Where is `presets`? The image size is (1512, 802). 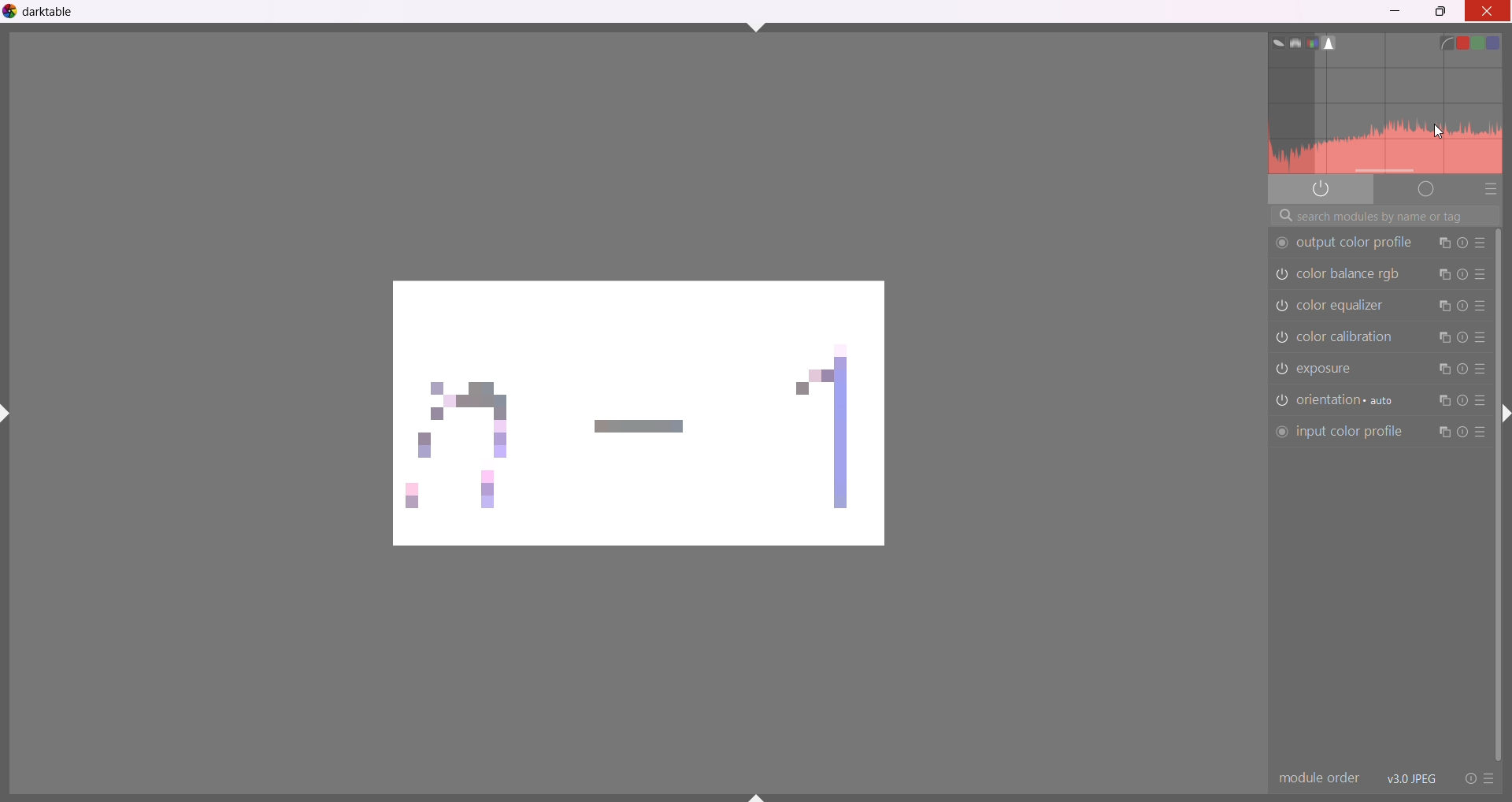
presets is located at coordinates (1491, 191).